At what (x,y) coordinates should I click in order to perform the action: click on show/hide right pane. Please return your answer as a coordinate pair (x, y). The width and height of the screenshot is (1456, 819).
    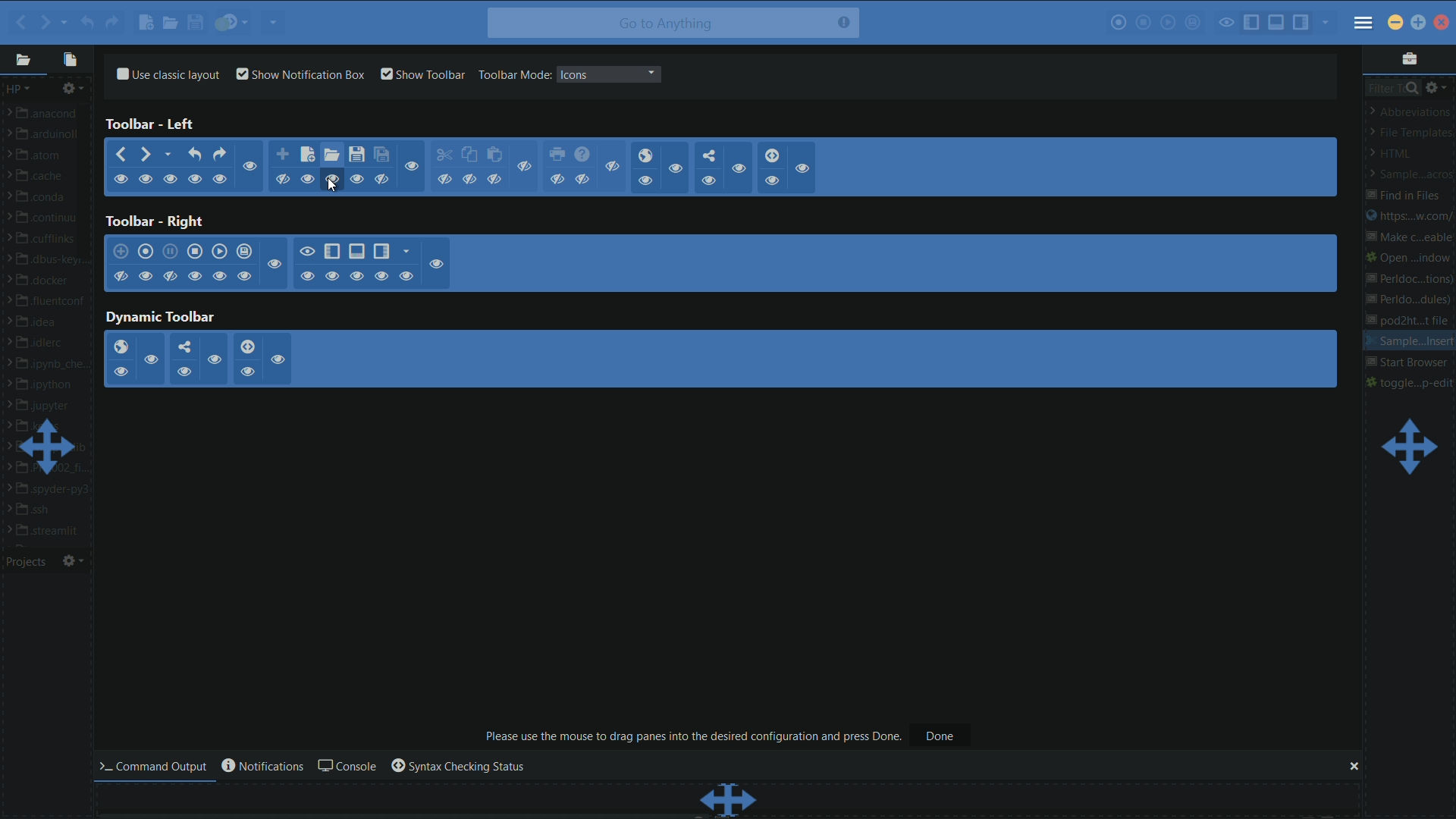
    Looking at the image, I should click on (381, 252).